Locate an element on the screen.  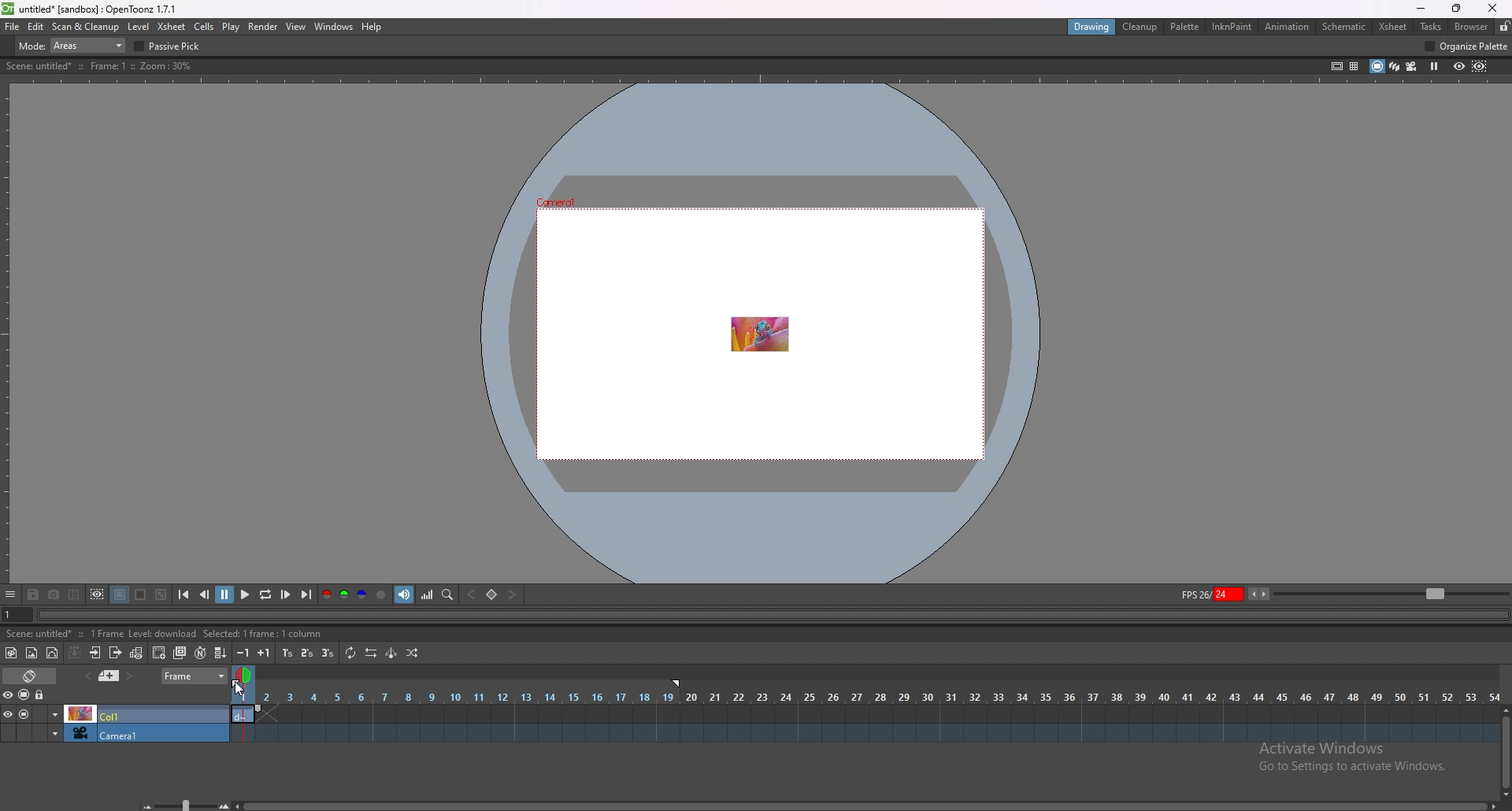
duplicate drawing is located at coordinates (180, 653).